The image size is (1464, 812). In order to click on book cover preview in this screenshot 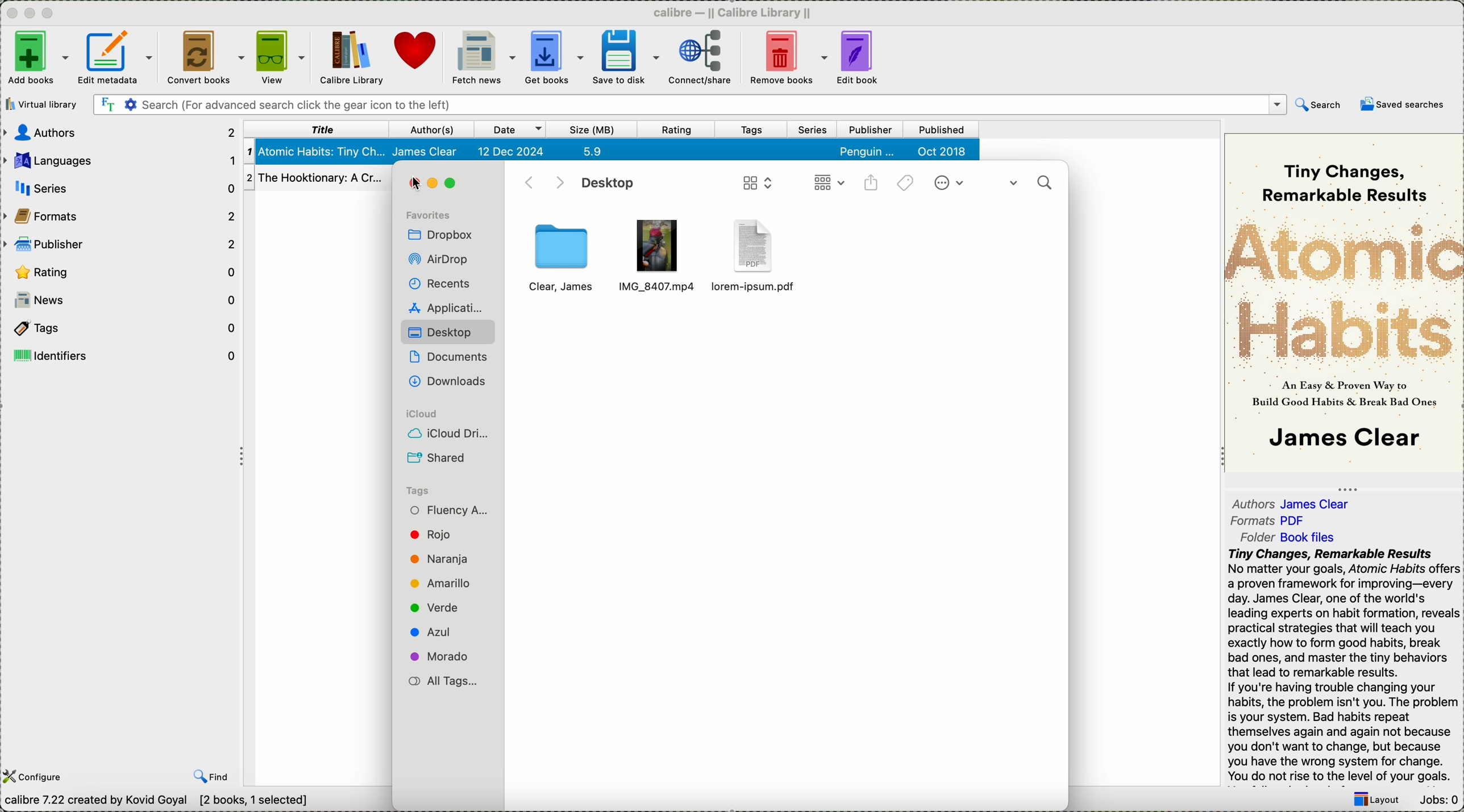, I will do `click(1344, 302)`.